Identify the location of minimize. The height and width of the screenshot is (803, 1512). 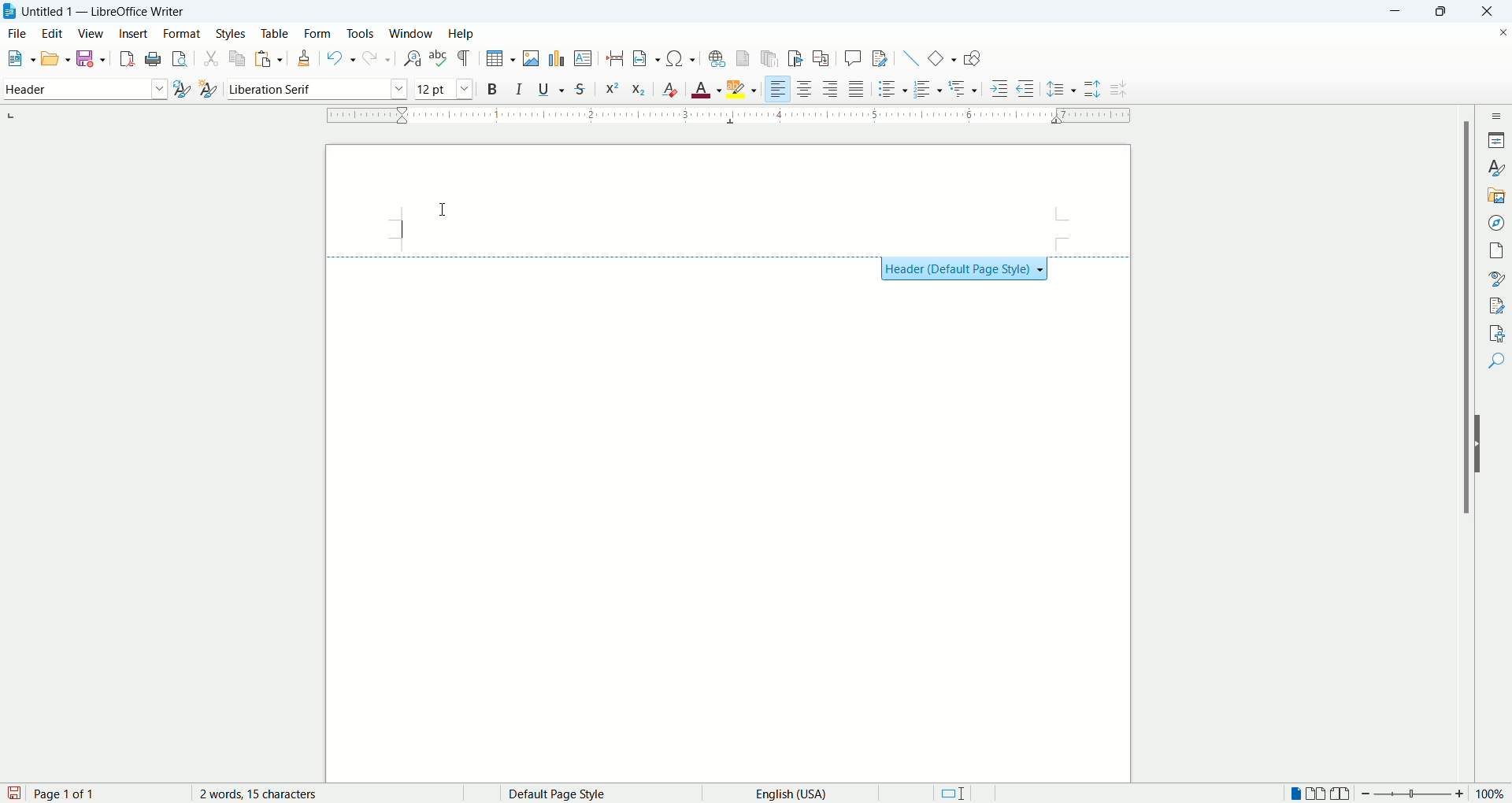
(1396, 13).